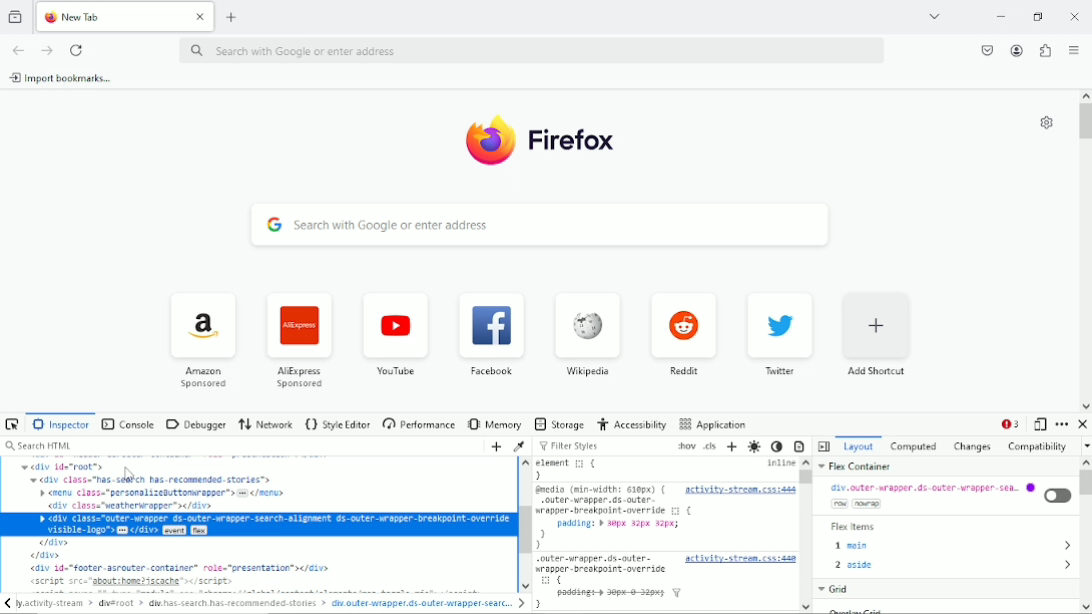 This screenshot has width=1092, height=614. What do you see at coordinates (1073, 49) in the screenshot?
I see `Open application menu` at bounding box center [1073, 49].